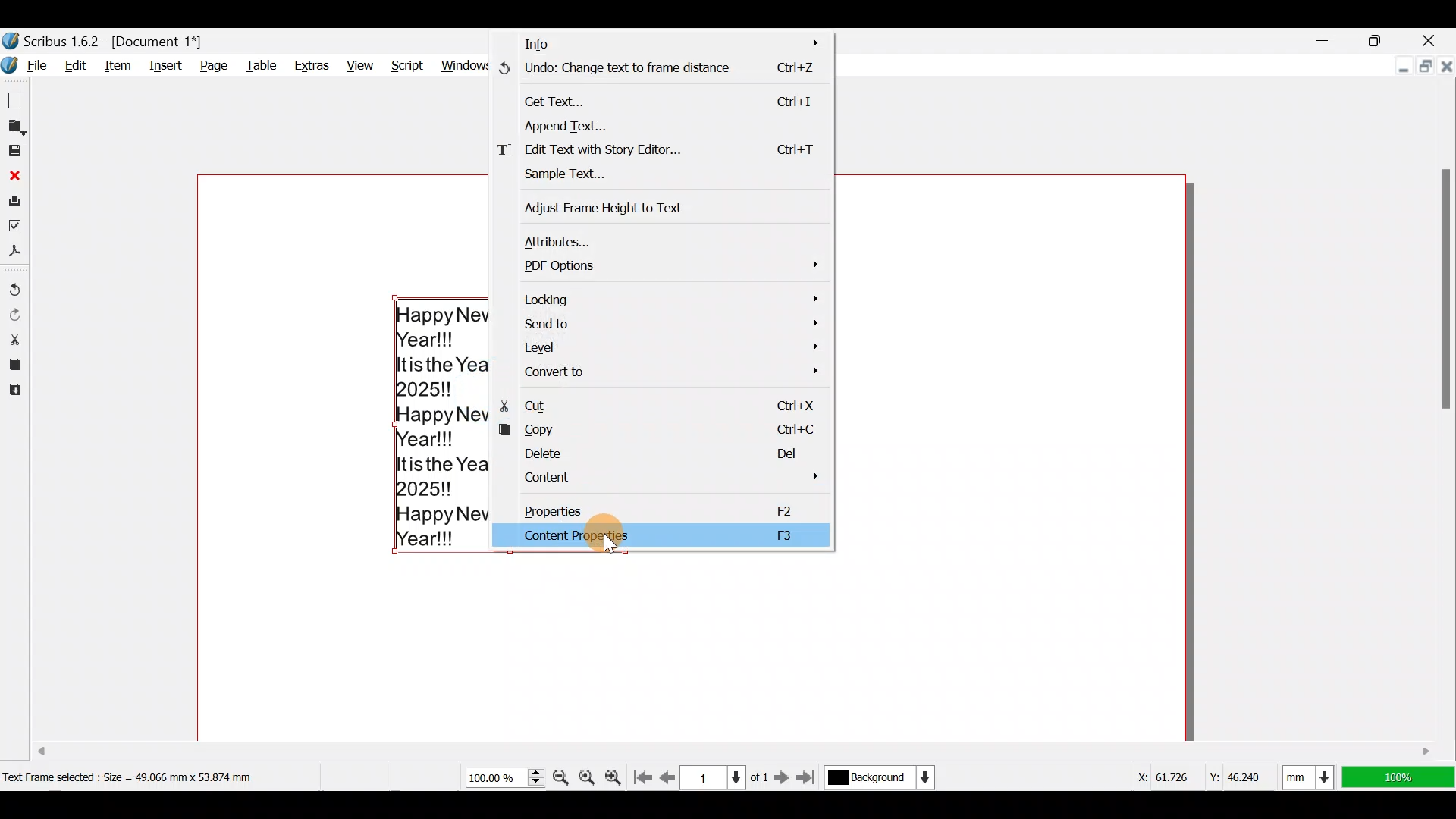 The height and width of the screenshot is (819, 1456). Describe the element at coordinates (727, 775) in the screenshot. I see `Select current page` at that location.